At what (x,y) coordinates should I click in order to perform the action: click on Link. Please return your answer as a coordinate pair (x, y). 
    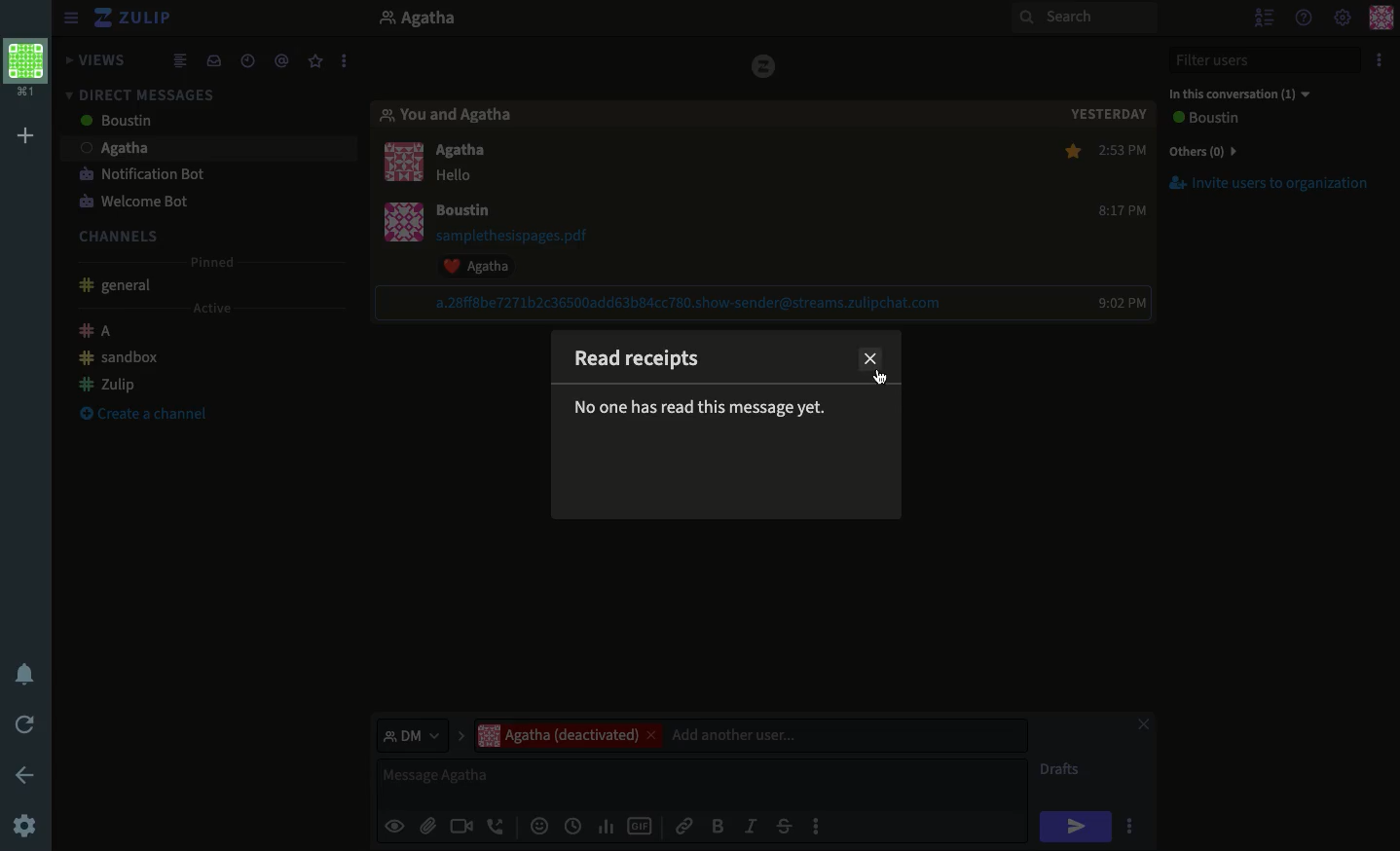
    Looking at the image, I should click on (684, 823).